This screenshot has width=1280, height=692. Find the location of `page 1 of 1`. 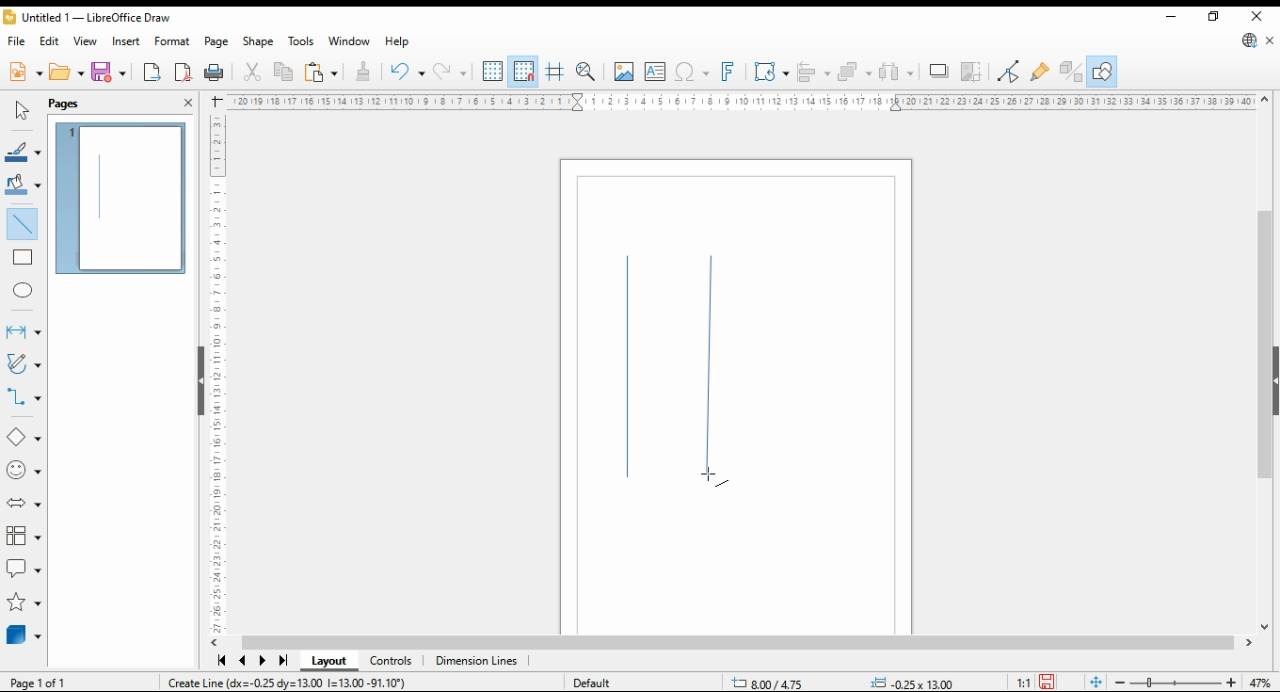

page 1 of 1 is located at coordinates (38, 683).